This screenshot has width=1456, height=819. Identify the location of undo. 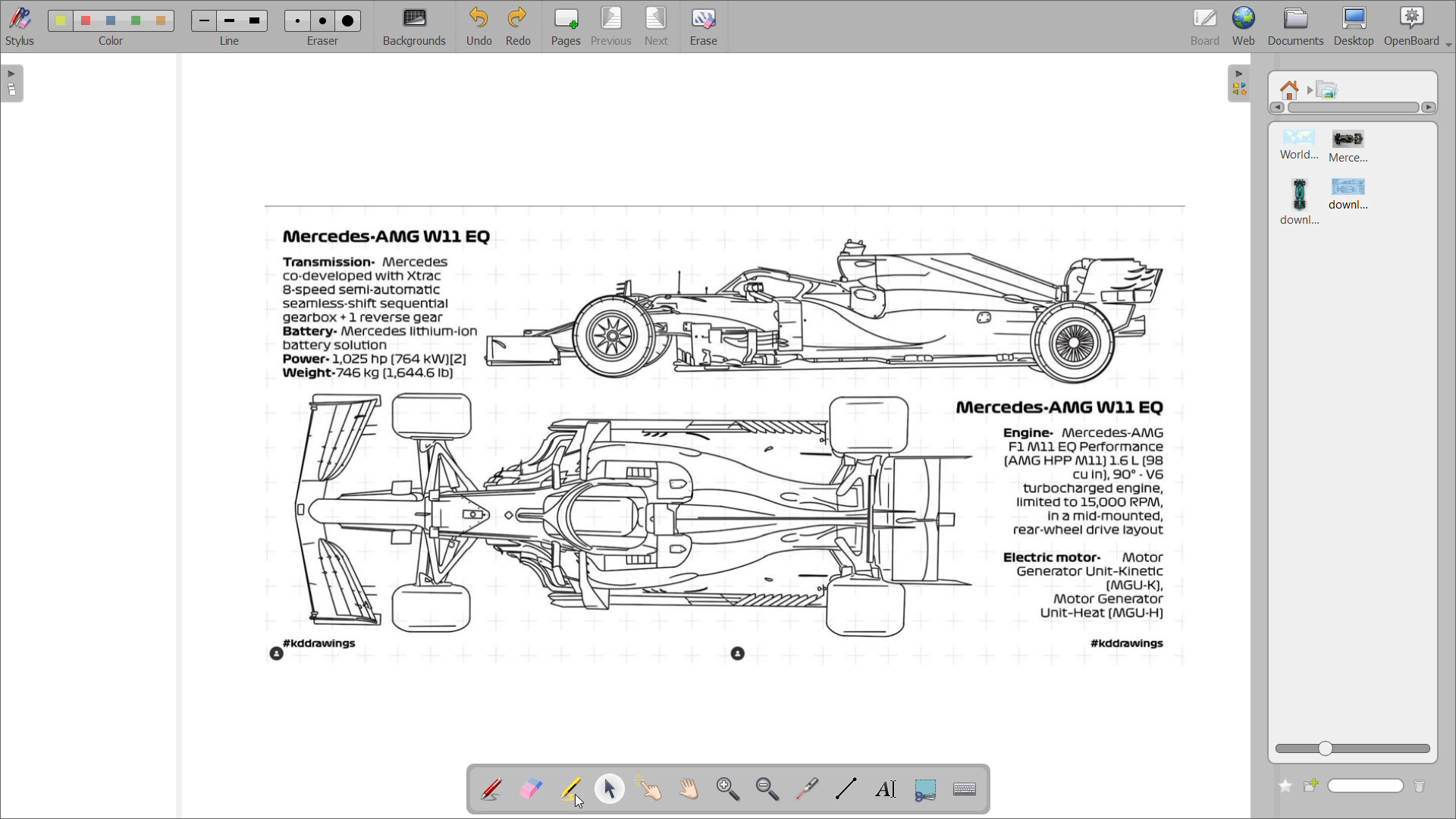
(478, 27).